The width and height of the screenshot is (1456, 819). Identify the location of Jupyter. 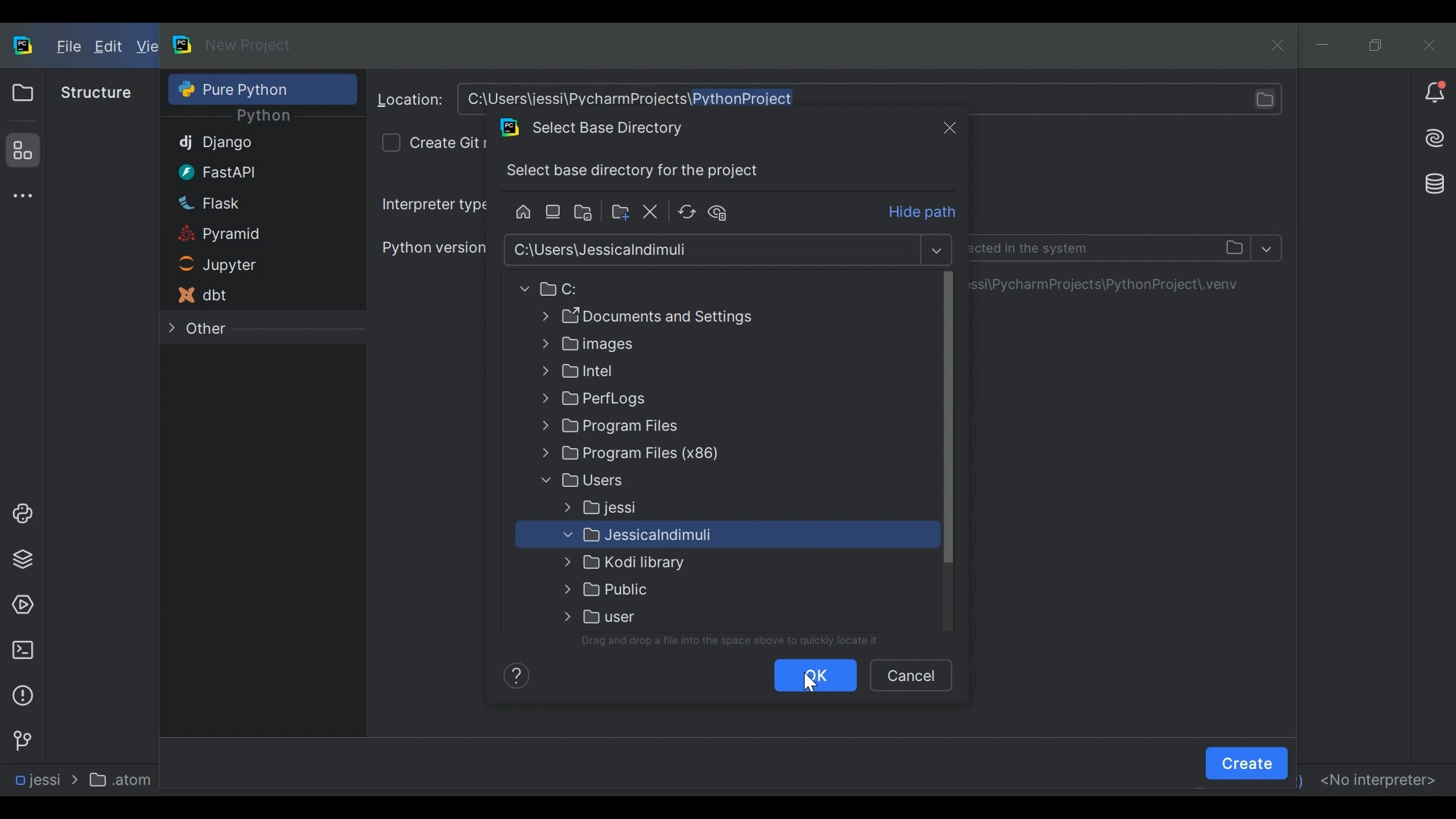
(240, 266).